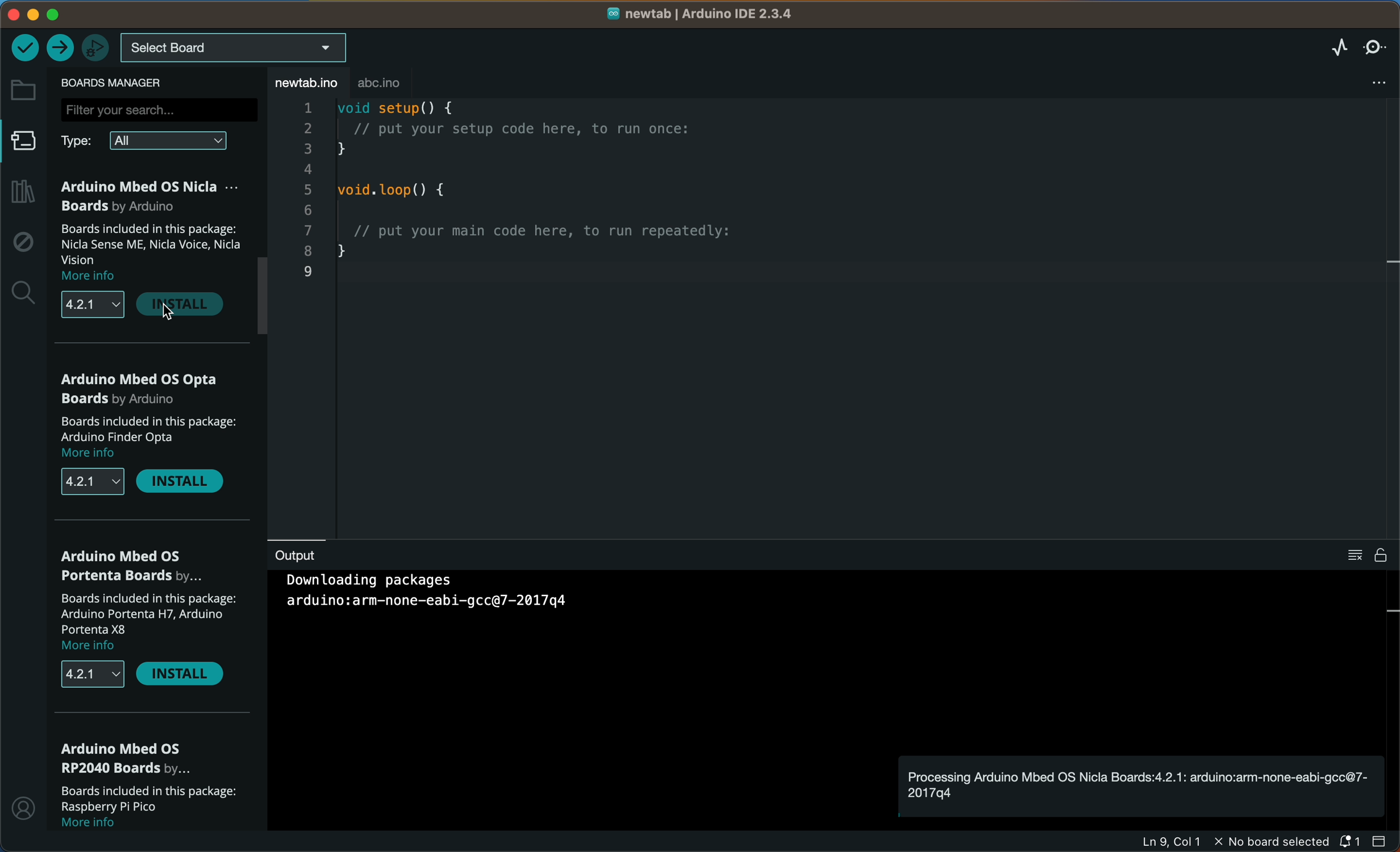 Image resolution: width=1400 pixels, height=852 pixels. I want to click on description, so click(149, 429).